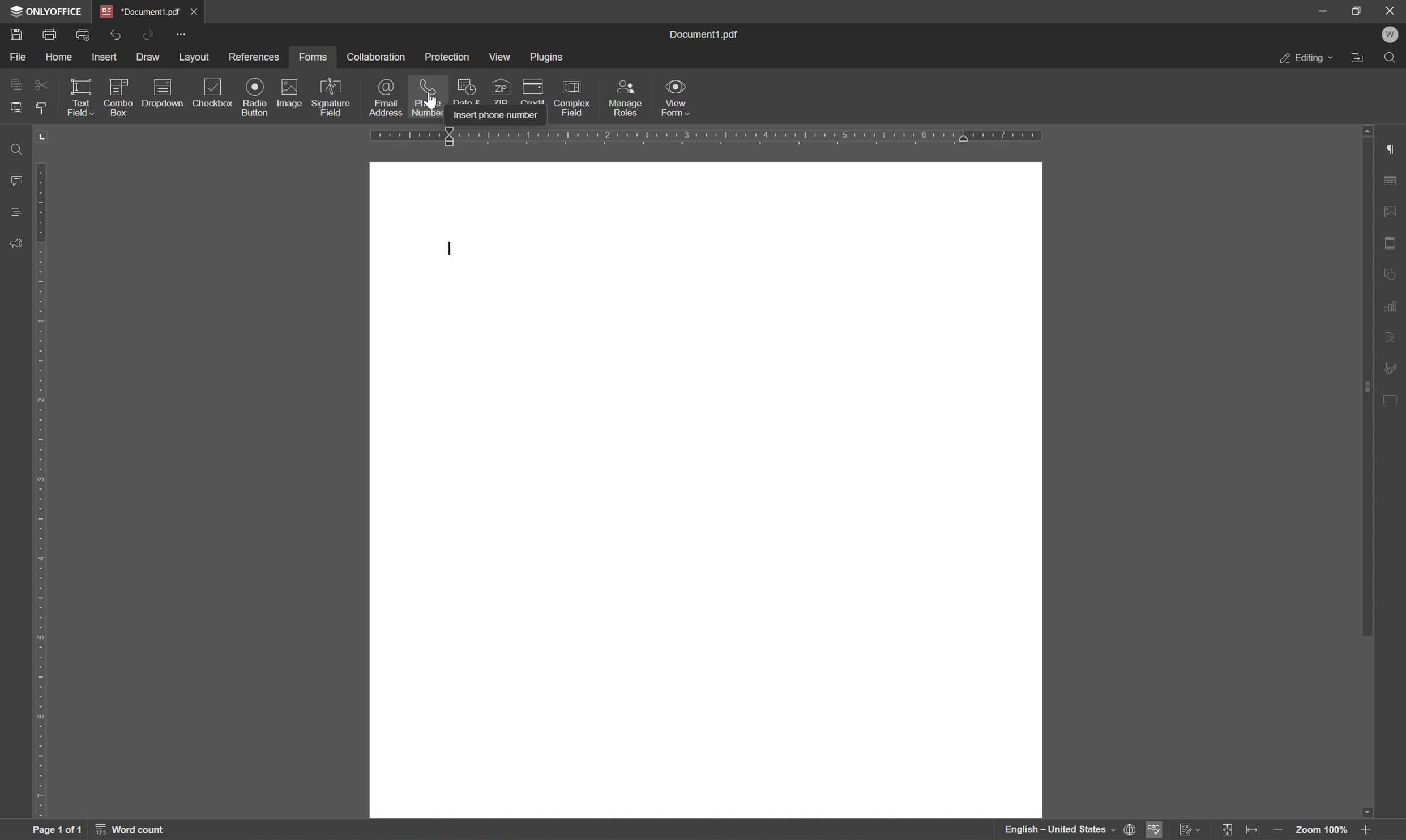 This screenshot has height=840, width=1406. I want to click on icon, so click(501, 90).